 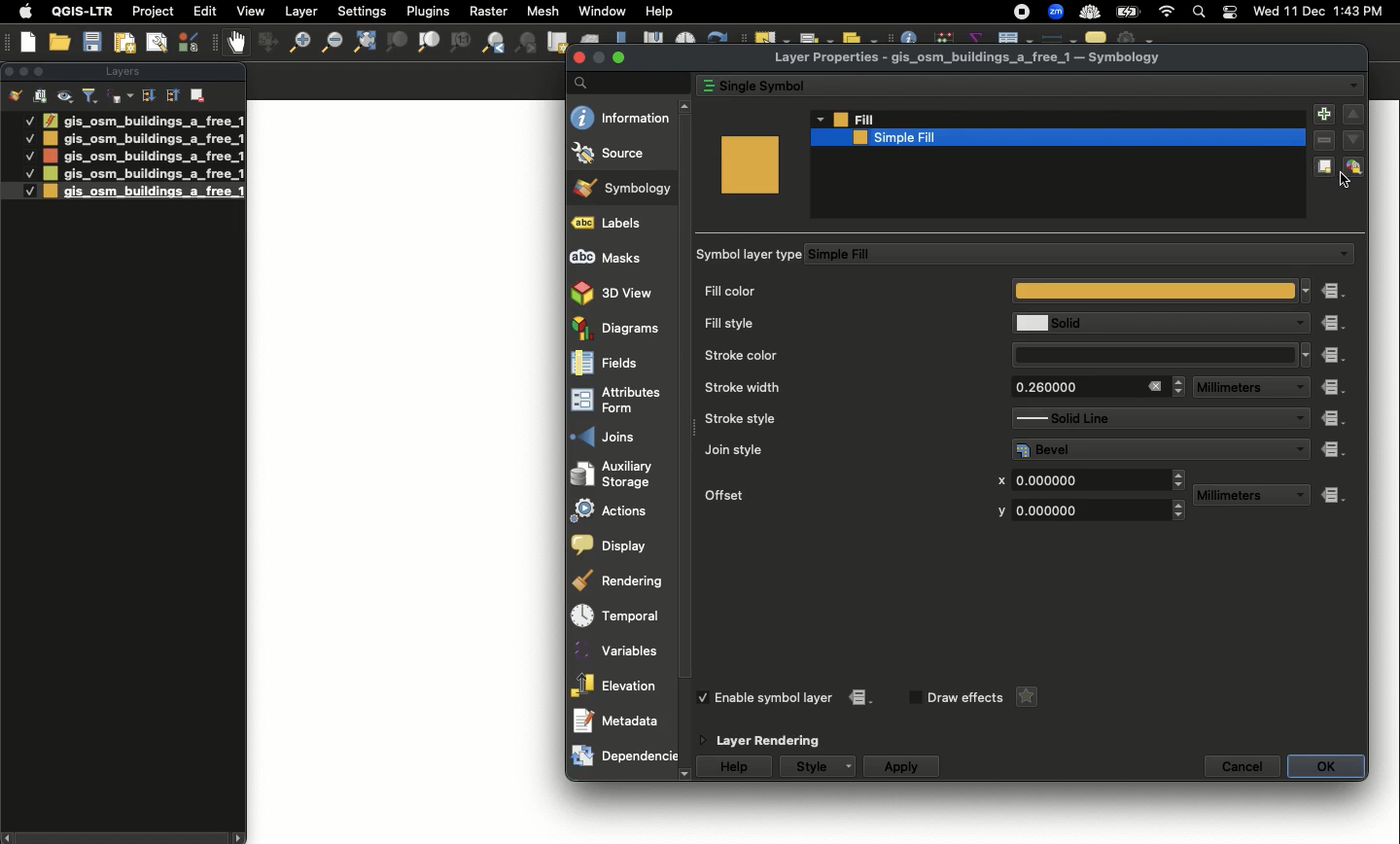 What do you see at coordinates (144, 139) in the screenshot?
I see `gis_osm_buildings_a_free_1` at bounding box center [144, 139].